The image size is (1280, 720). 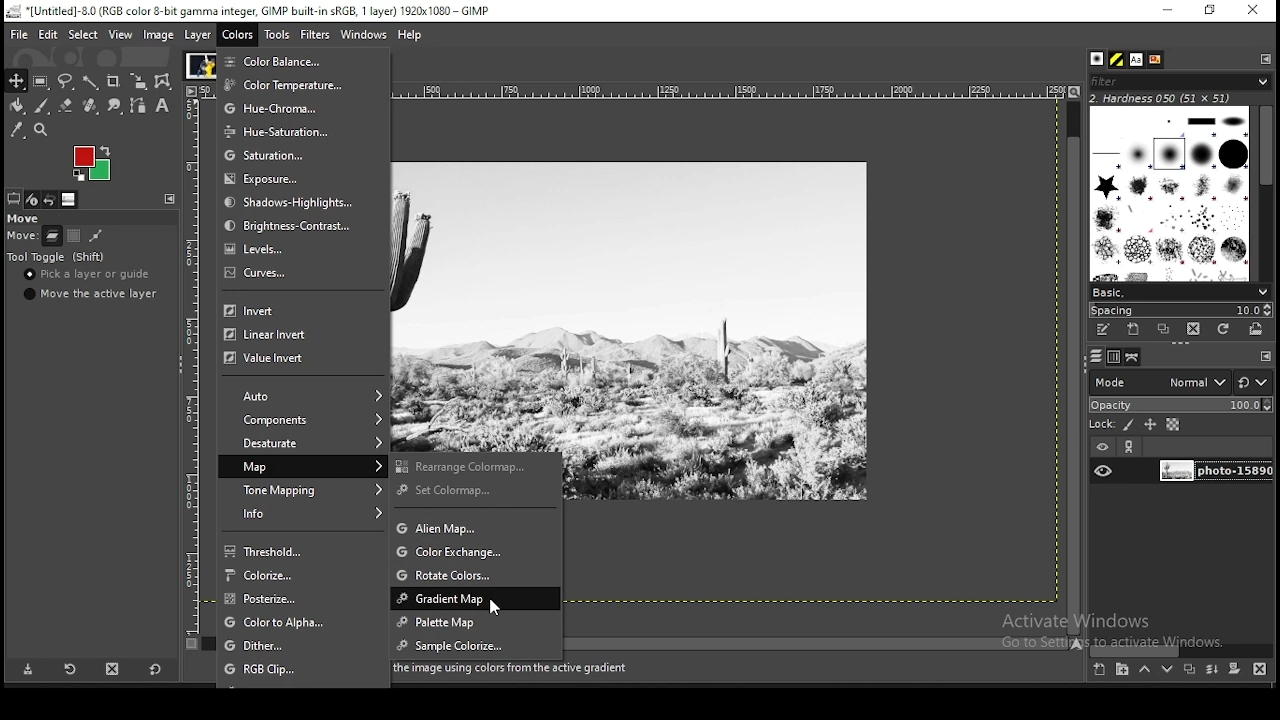 What do you see at coordinates (57, 257) in the screenshot?
I see `tool toggle` at bounding box center [57, 257].